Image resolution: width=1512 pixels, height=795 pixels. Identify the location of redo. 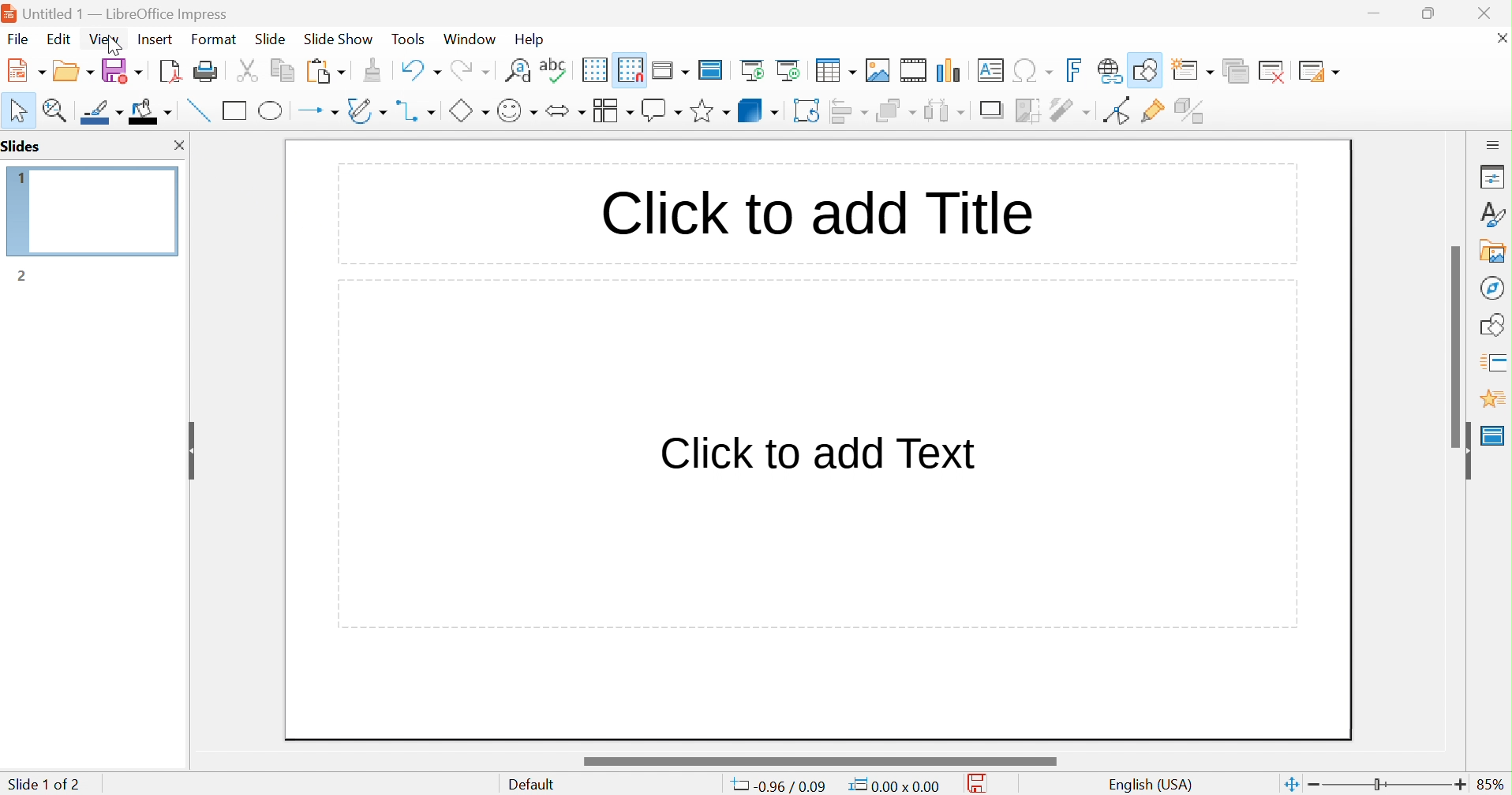
(469, 68).